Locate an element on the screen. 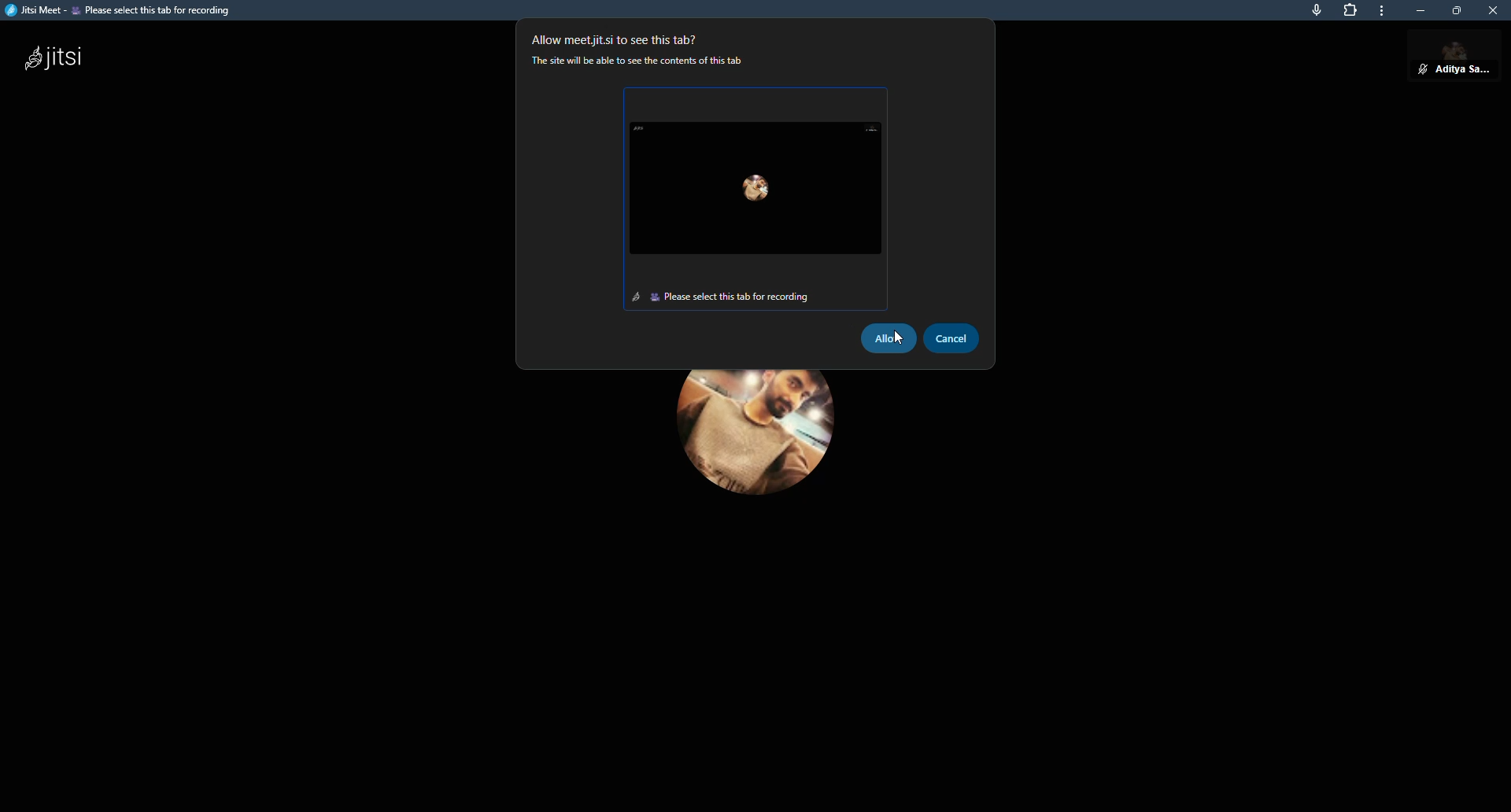   Please select this tab for recording is located at coordinates (736, 296).